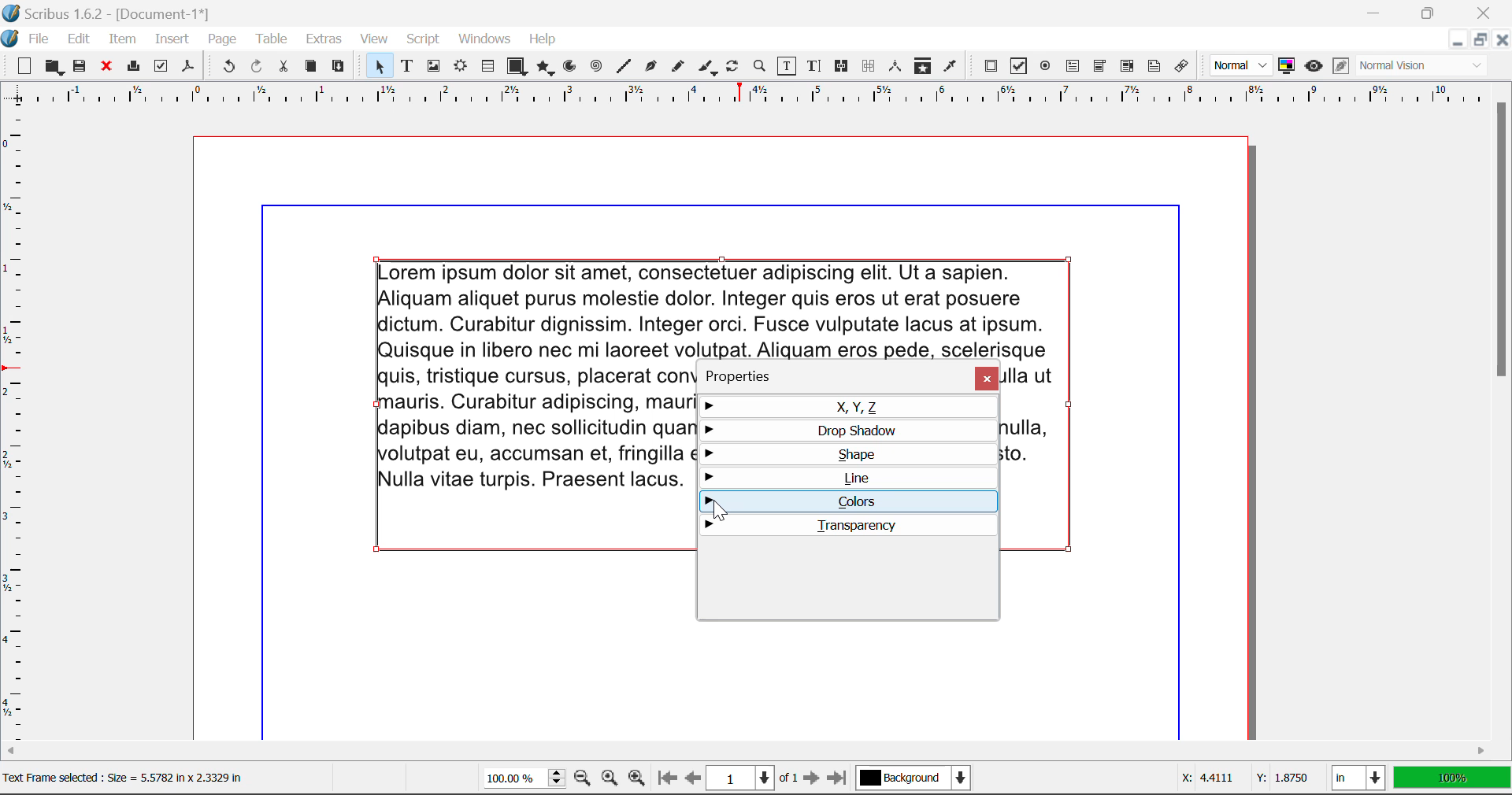 This screenshot has width=1512, height=795. I want to click on Delink Frames, so click(869, 66).